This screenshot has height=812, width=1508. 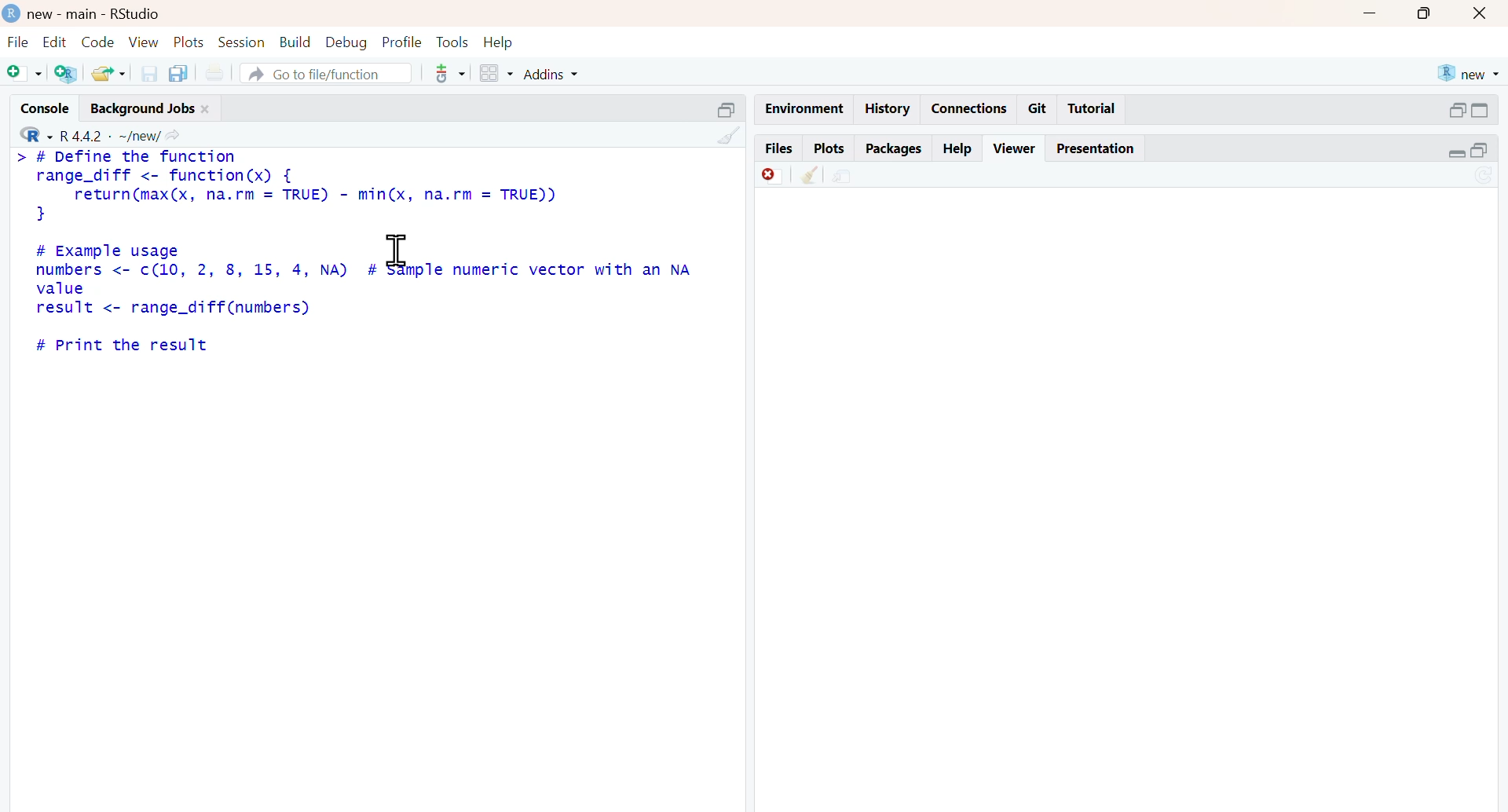 I want to click on new, so click(x=1470, y=74).